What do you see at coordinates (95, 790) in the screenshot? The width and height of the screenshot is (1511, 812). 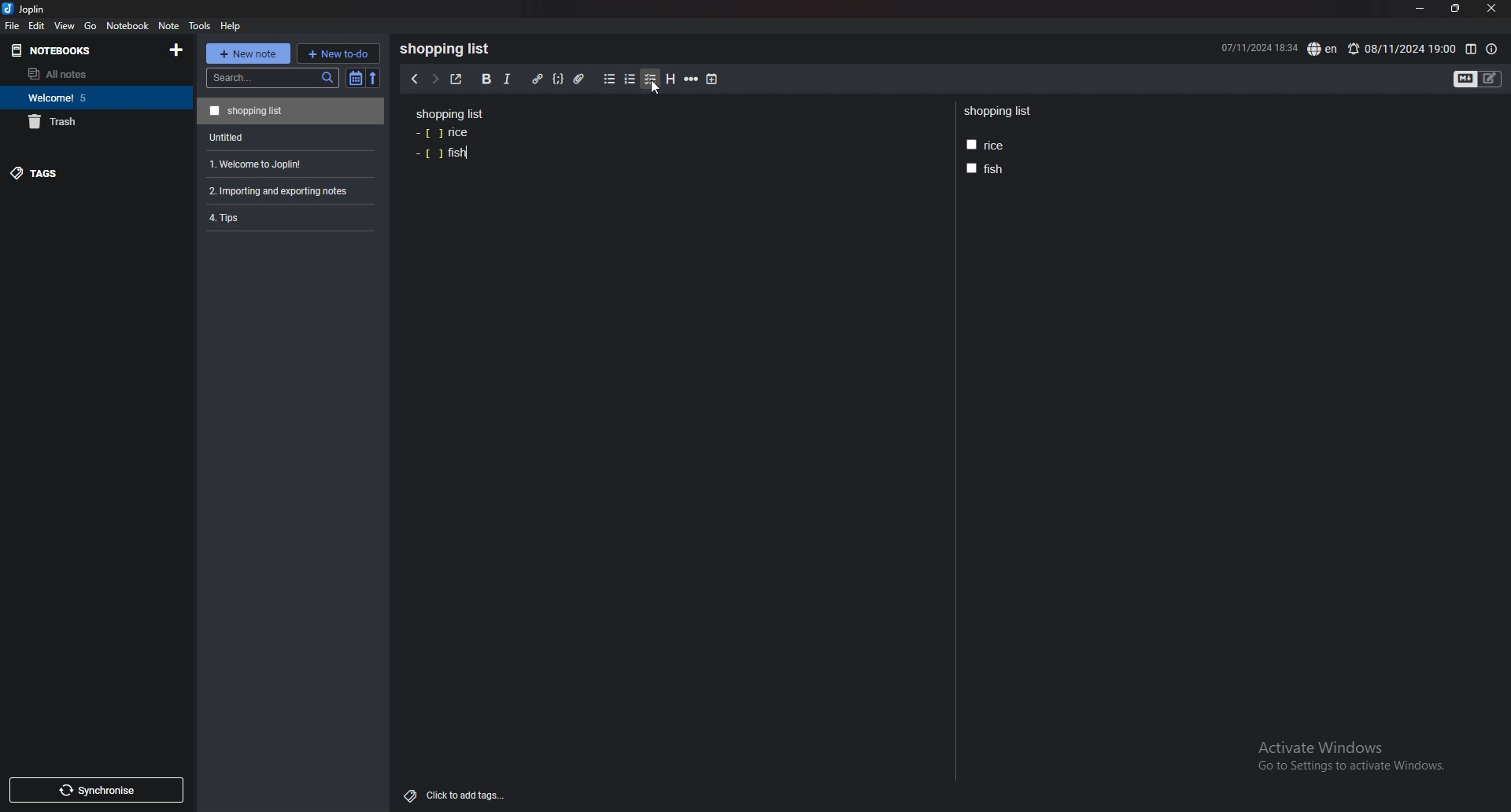 I see `synchronize` at bounding box center [95, 790].